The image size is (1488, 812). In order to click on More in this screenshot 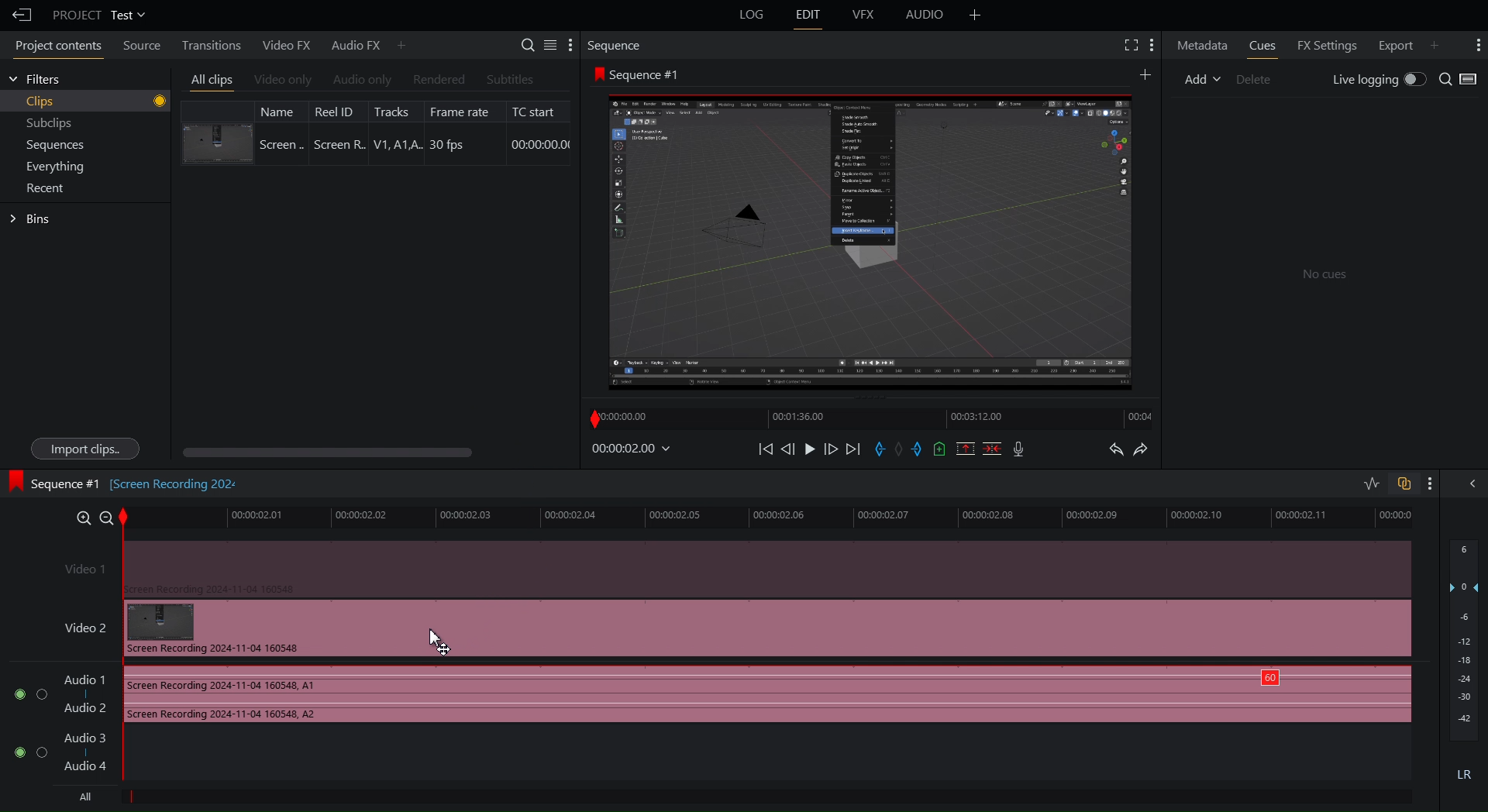, I will do `click(1430, 483)`.